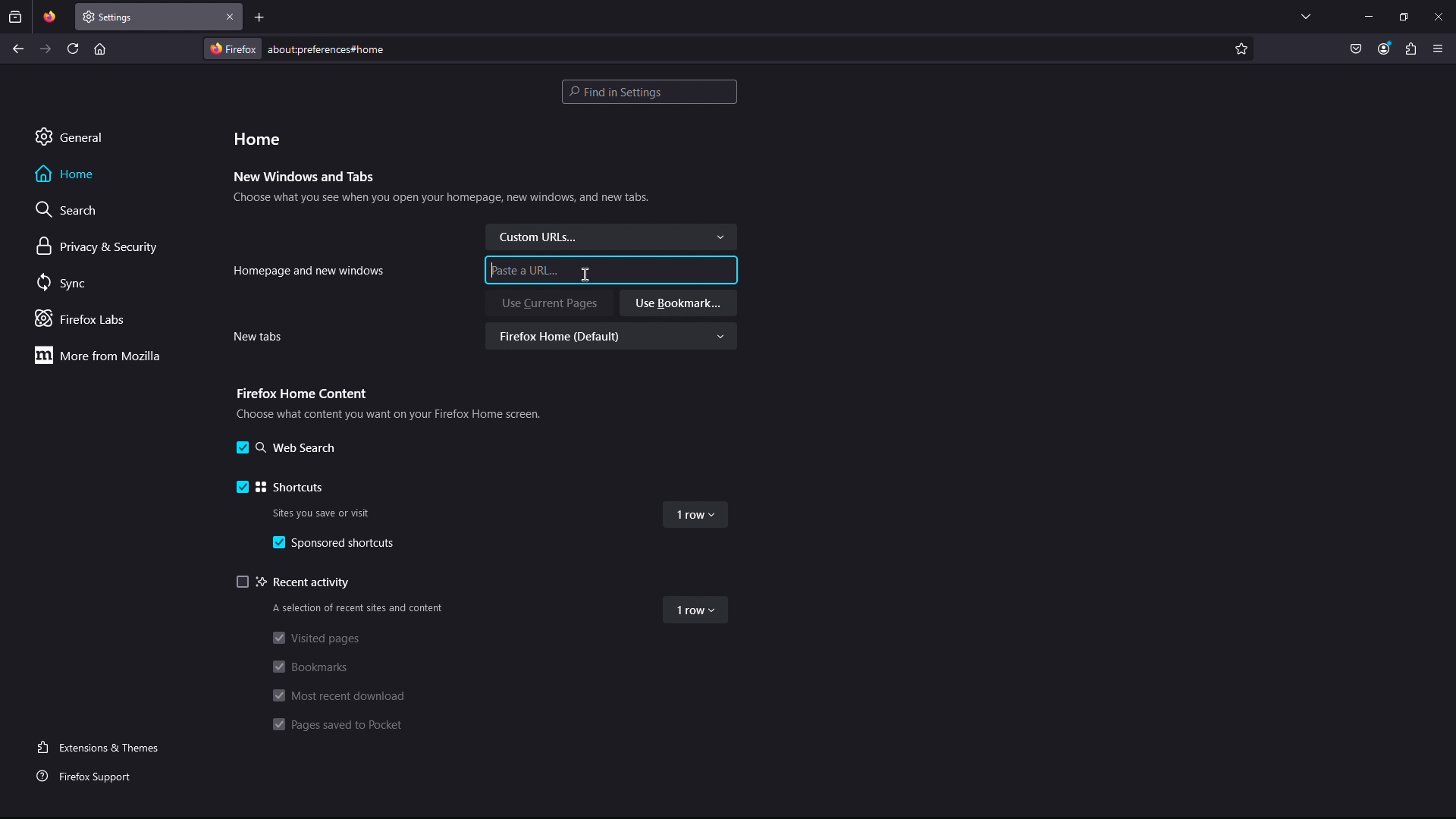 This screenshot has width=1456, height=819. Describe the element at coordinates (384, 413) in the screenshot. I see `Choose what content you want on your Firefox Home screen` at that location.